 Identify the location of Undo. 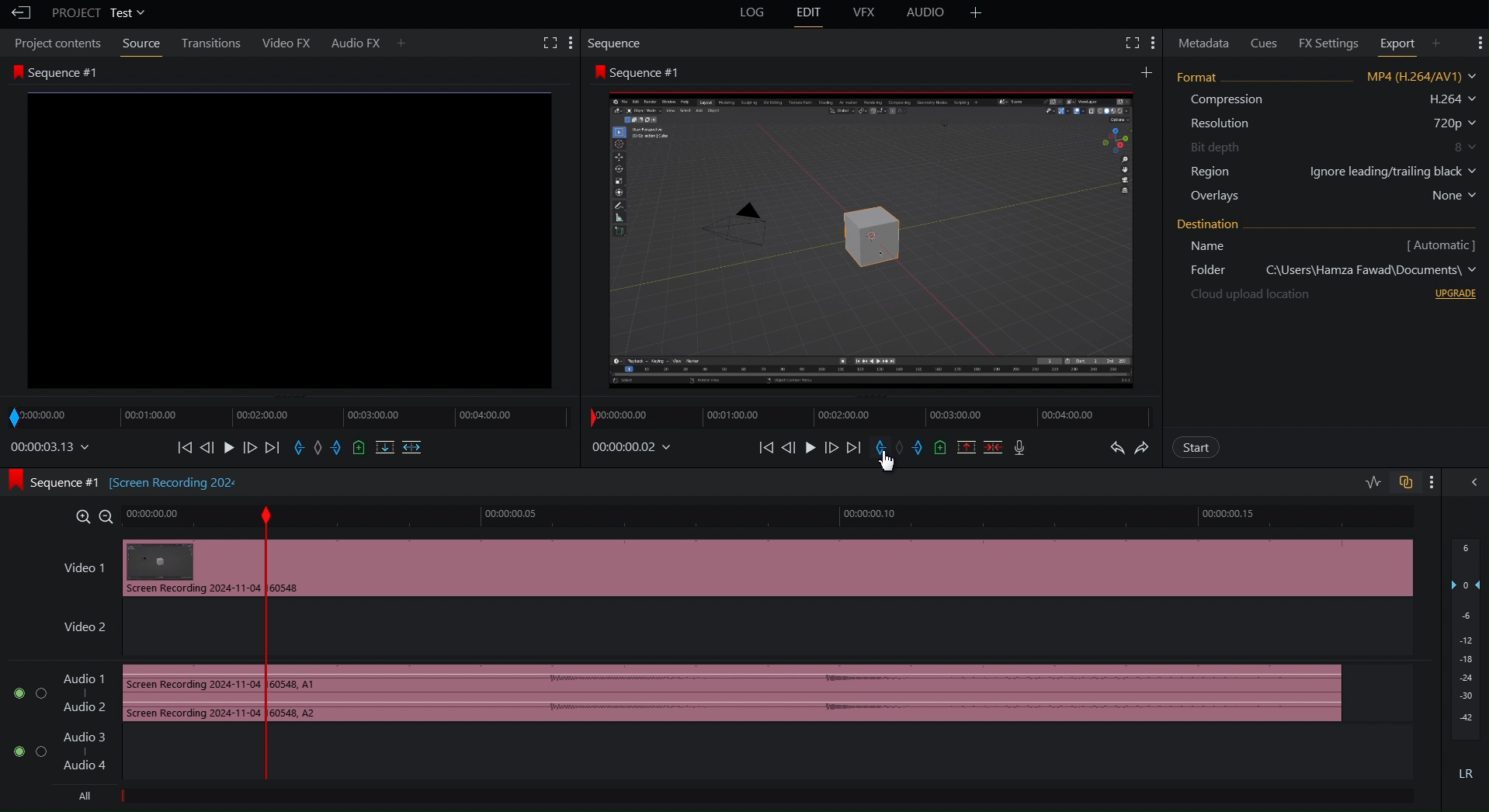
(1117, 447).